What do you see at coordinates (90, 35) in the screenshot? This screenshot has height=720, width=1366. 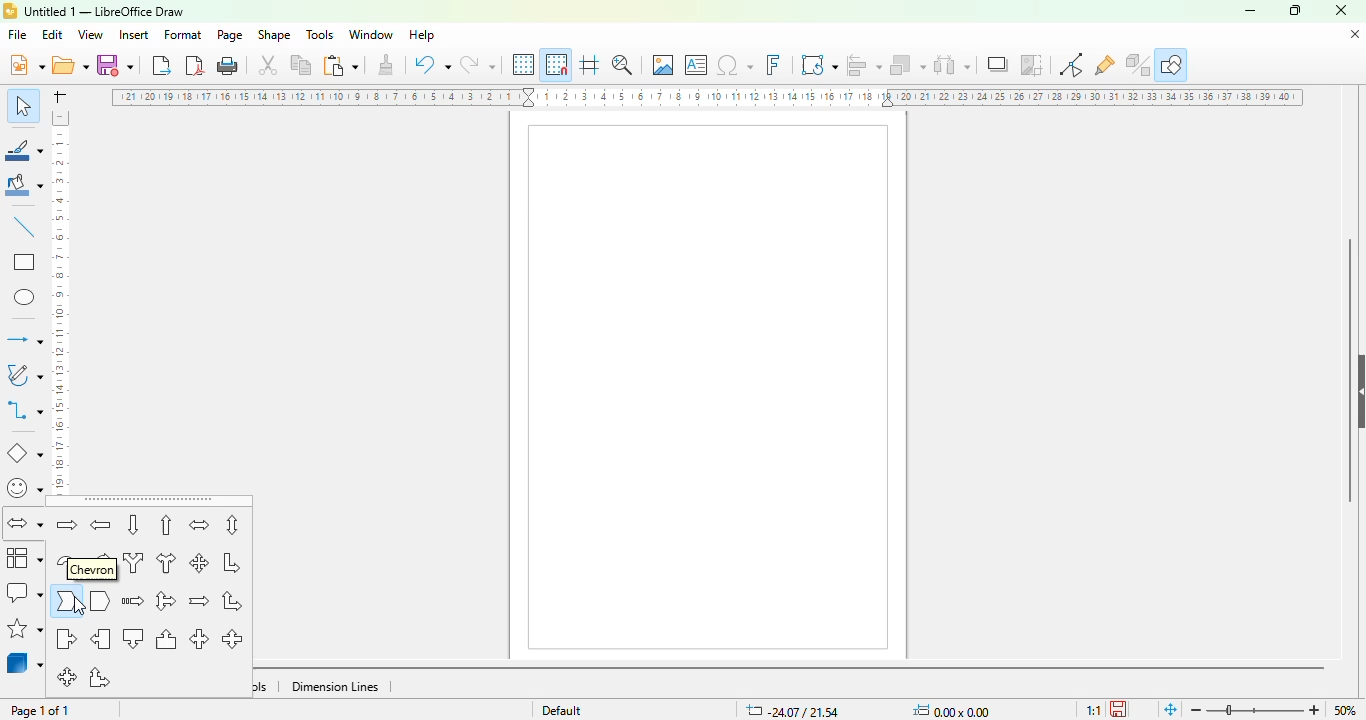 I see `view` at bounding box center [90, 35].